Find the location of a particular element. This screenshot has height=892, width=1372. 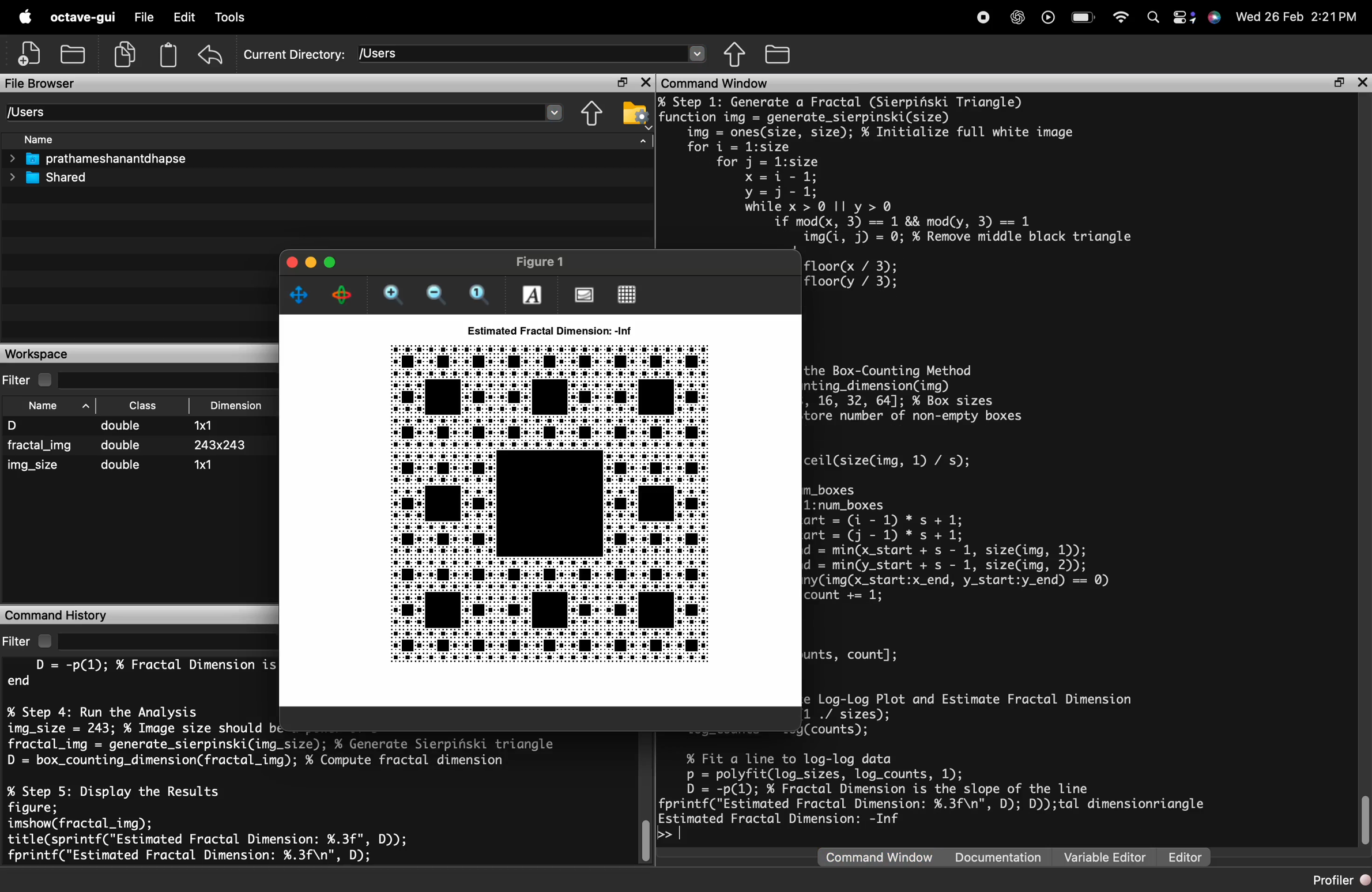

battery is located at coordinates (1087, 12).